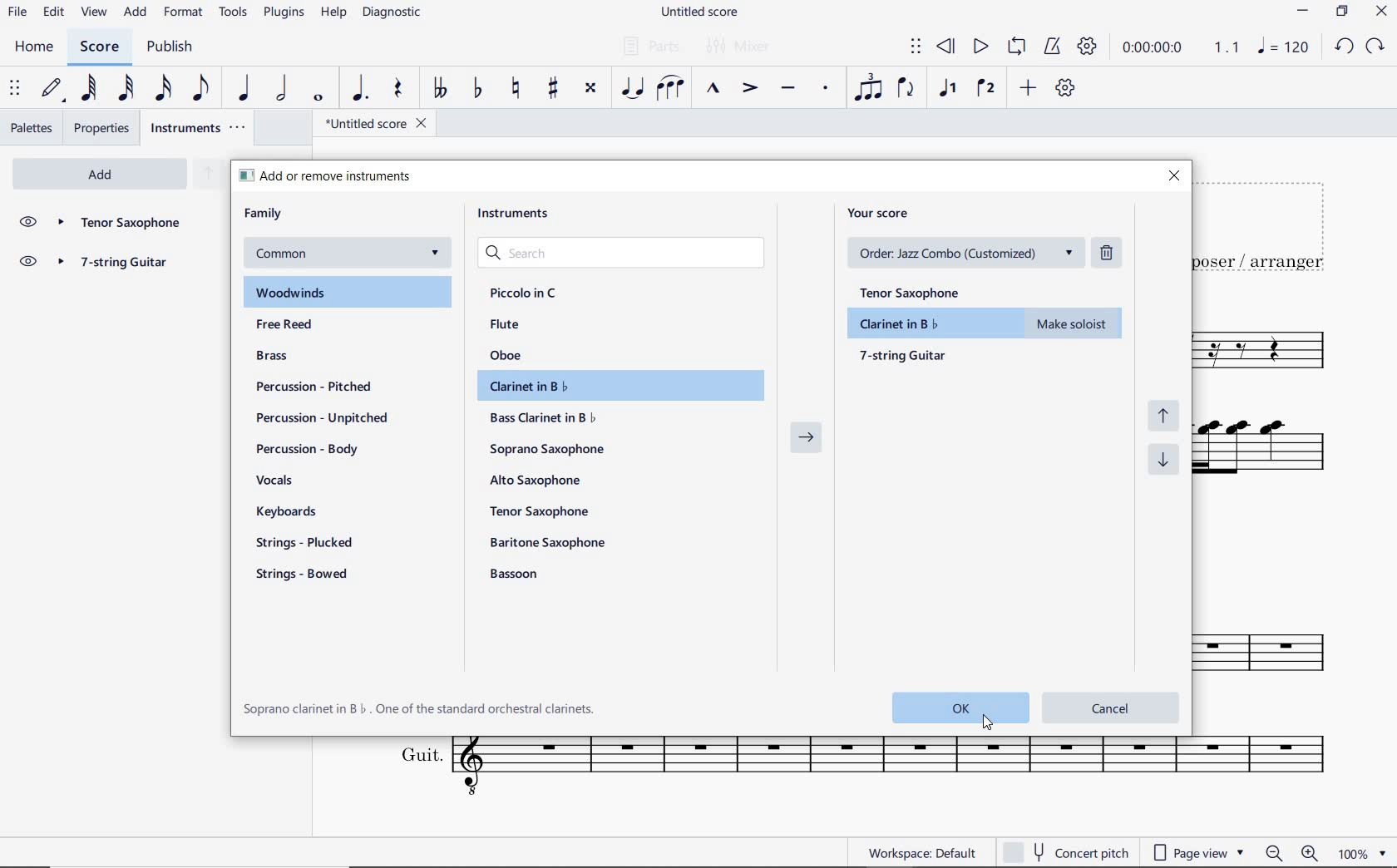 This screenshot has height=868, width=1397. I want to click on PAGE VIEW, so click(1199, 851).